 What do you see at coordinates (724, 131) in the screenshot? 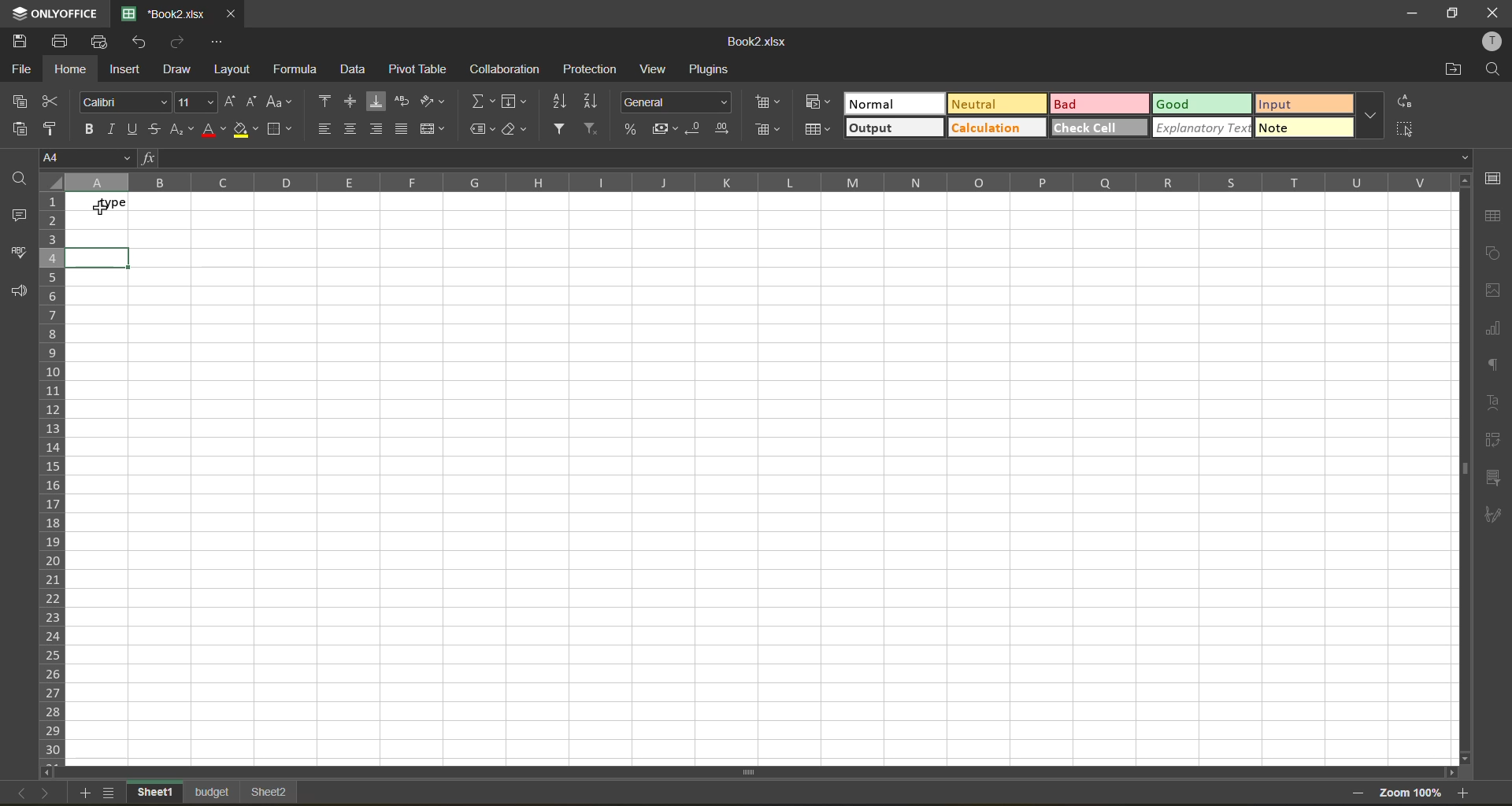
I see `increase decimal` at bounding box center [724, 131].